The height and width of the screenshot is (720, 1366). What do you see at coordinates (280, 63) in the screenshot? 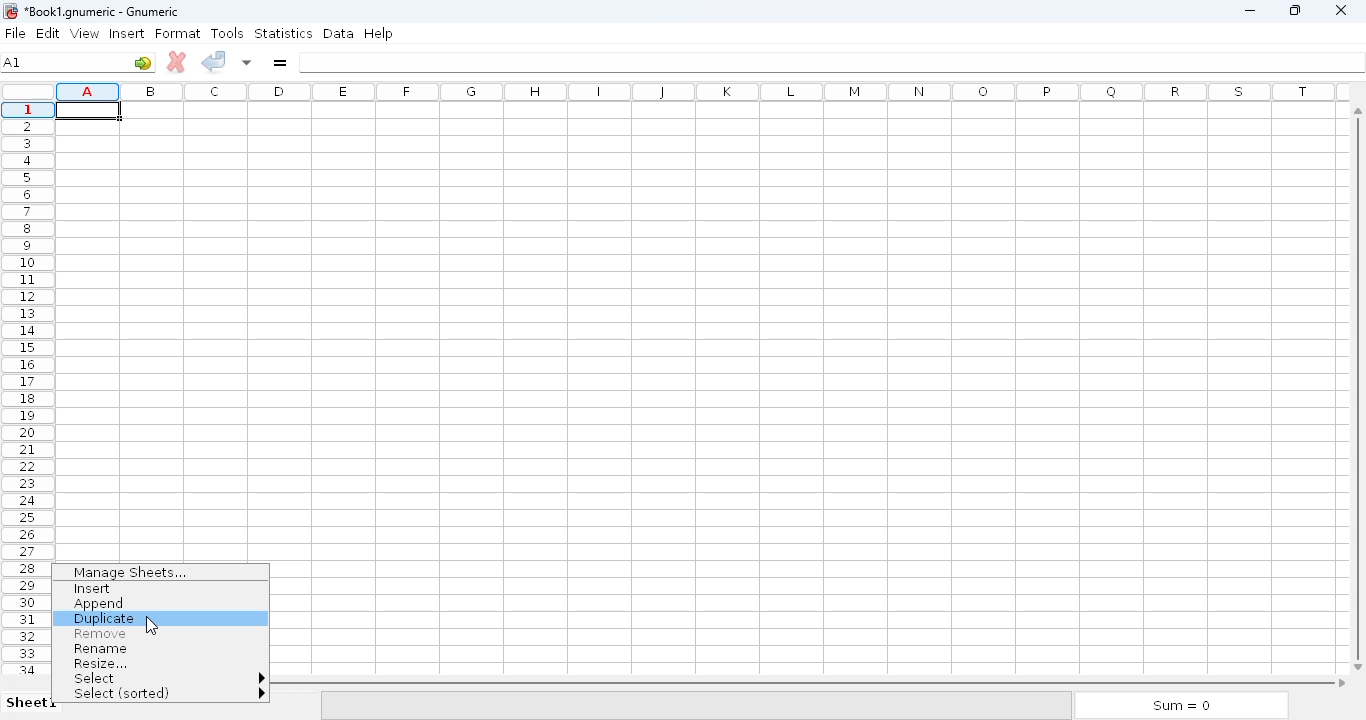
I see `enter formula` at bounding box center [280, 63].